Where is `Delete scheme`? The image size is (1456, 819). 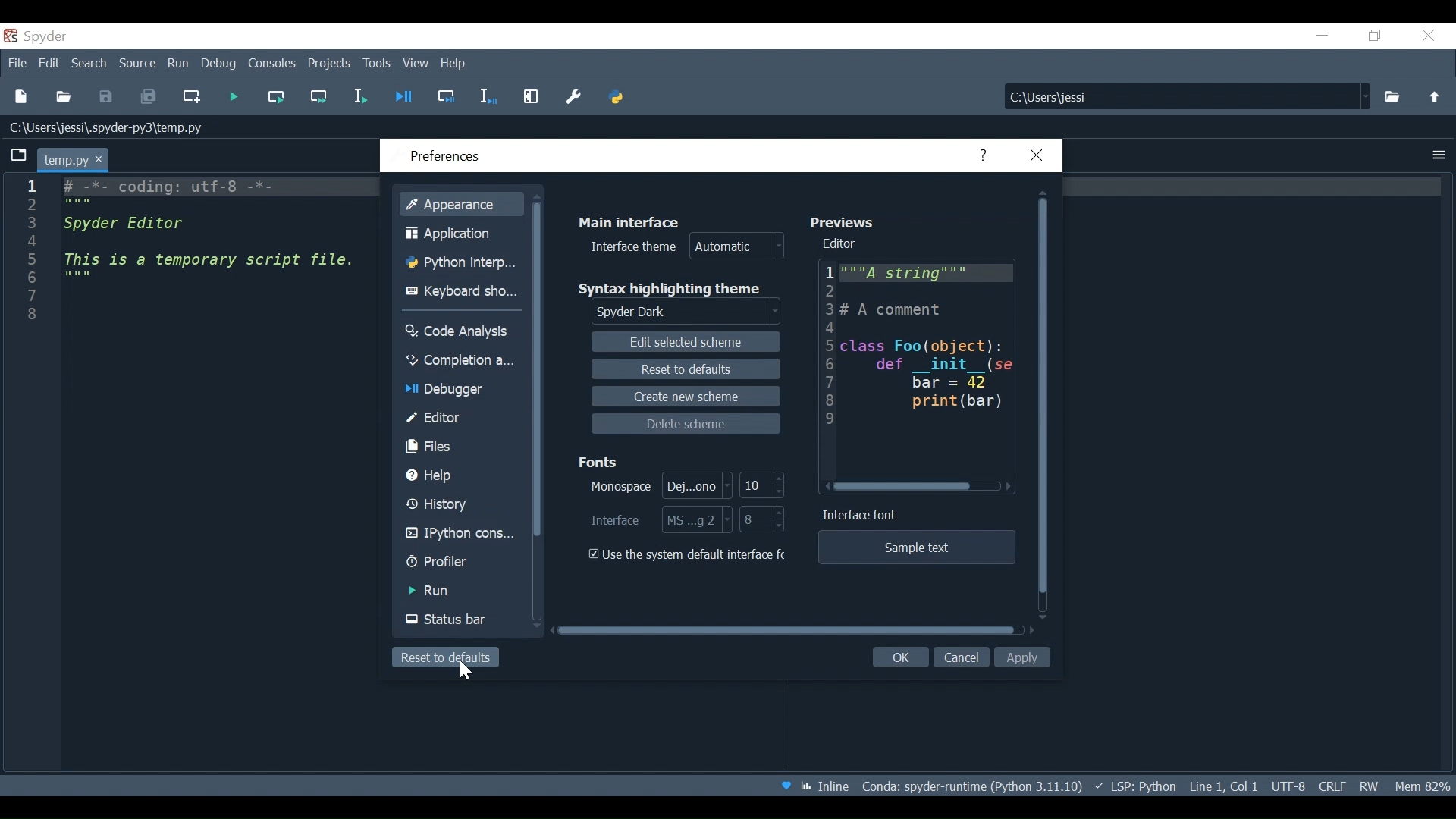
Delete scheme is located at coordinates (685, 424).